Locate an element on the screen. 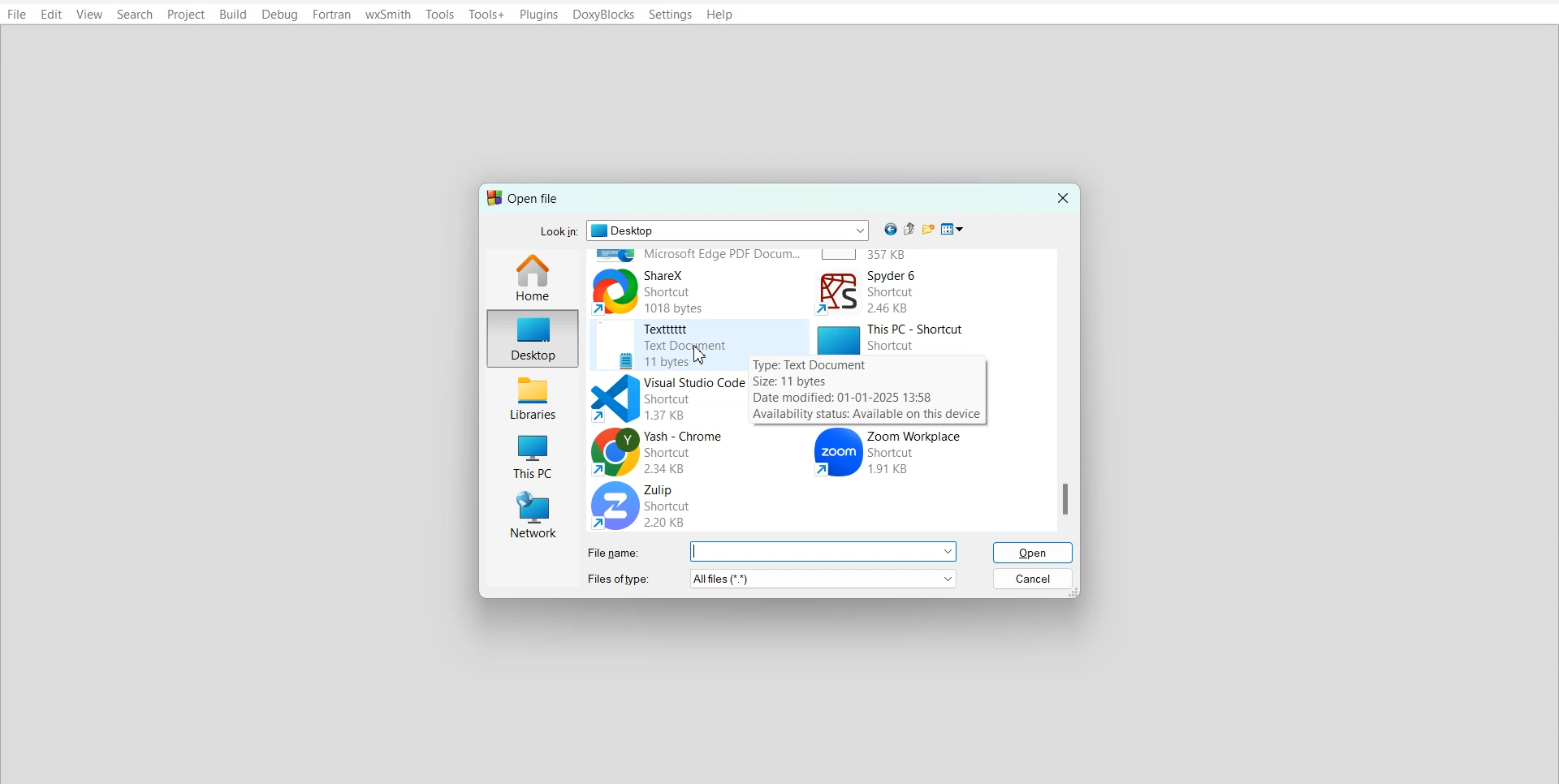 The height and width of the screenshot is (784, 1559). Cancel is located at coordinates (1034, 579).